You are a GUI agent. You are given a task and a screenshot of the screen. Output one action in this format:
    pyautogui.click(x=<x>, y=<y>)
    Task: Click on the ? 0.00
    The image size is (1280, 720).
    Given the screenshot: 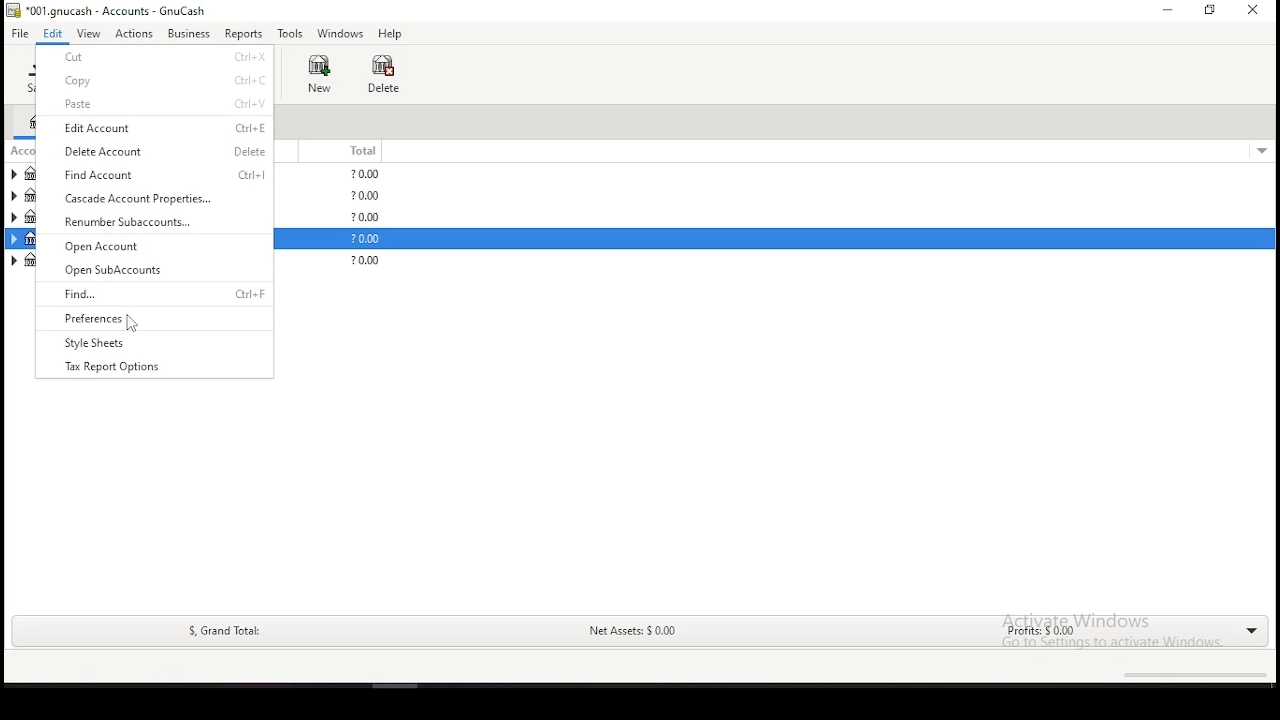 What is the action you would take?
    pyautogui.click(x=365, y=197)
    